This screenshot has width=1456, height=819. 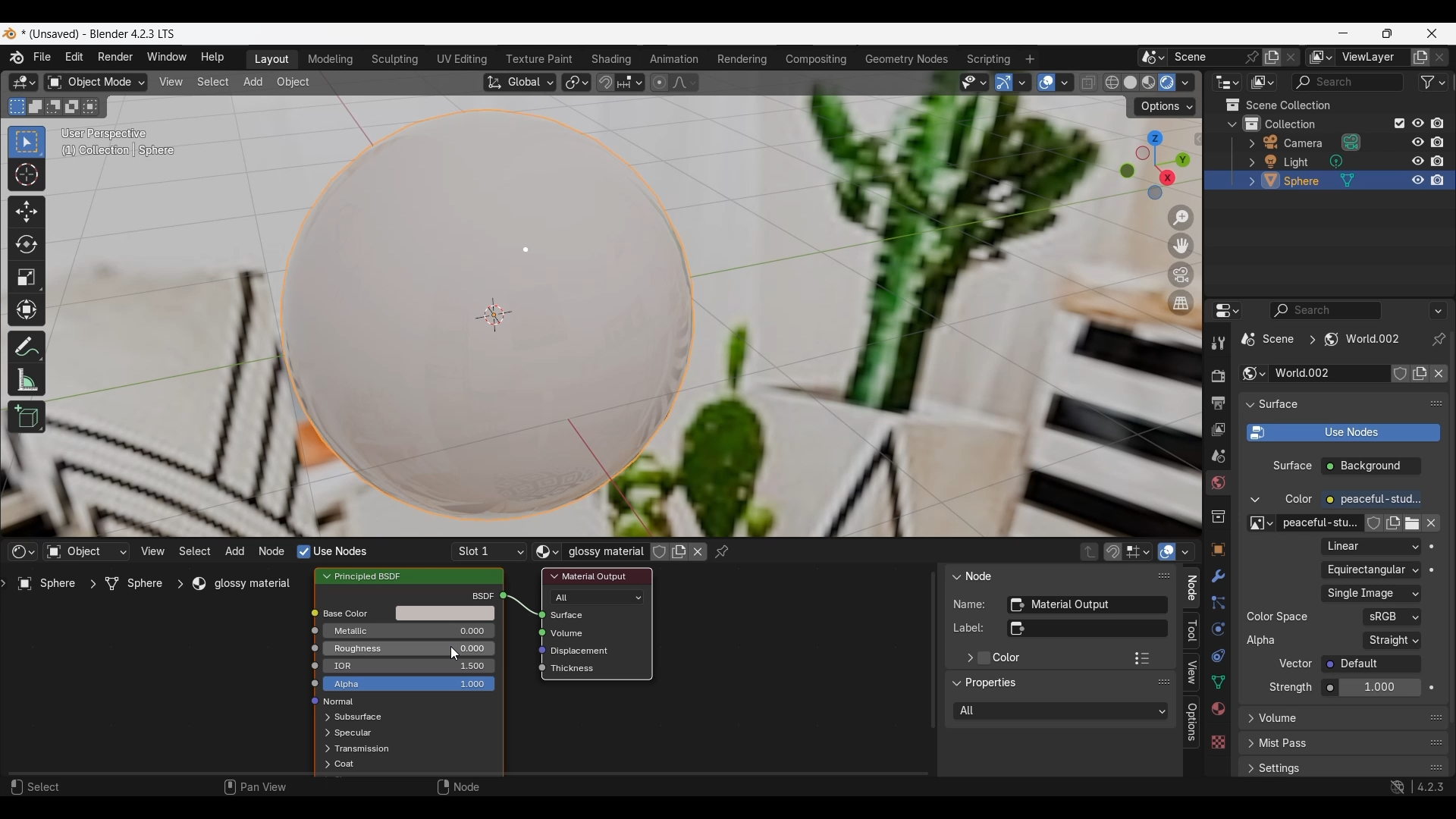 What do you see at coordinates (1154, 165) in the screenshot?
I see `Use a preset viewpoint` at bounding box center [1154, 165].